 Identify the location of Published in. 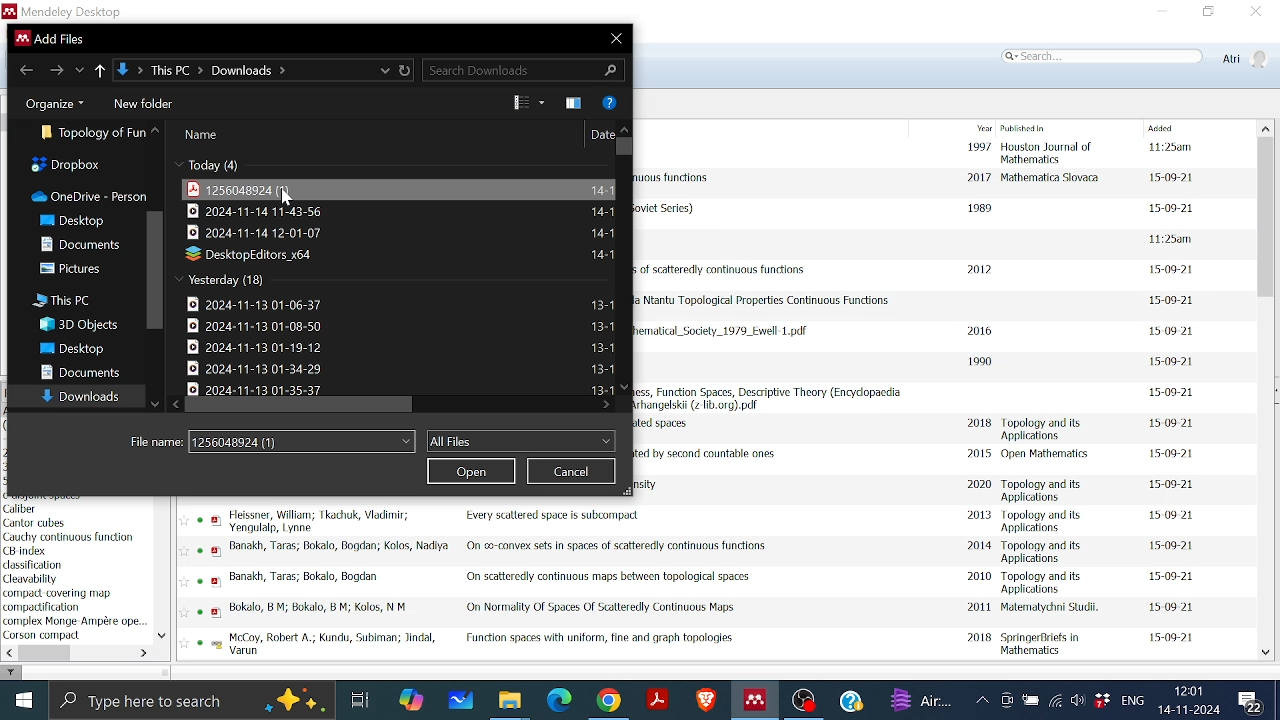
(1048, 582).